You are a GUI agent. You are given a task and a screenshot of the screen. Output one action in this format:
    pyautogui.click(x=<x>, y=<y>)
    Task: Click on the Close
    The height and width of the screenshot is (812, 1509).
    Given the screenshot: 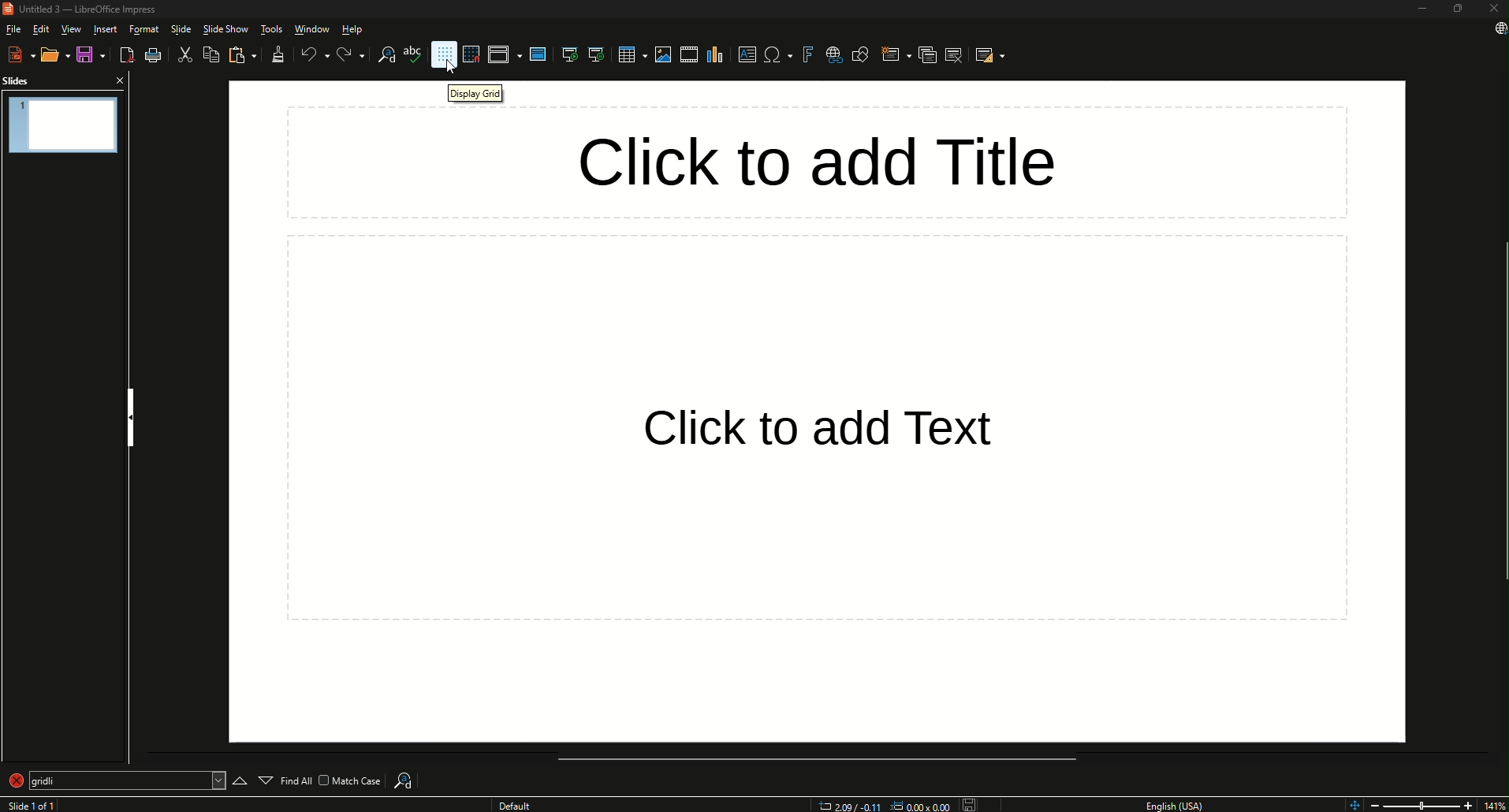 What is the action you would take?
    pyautogui.click(x=35, y=782)
    